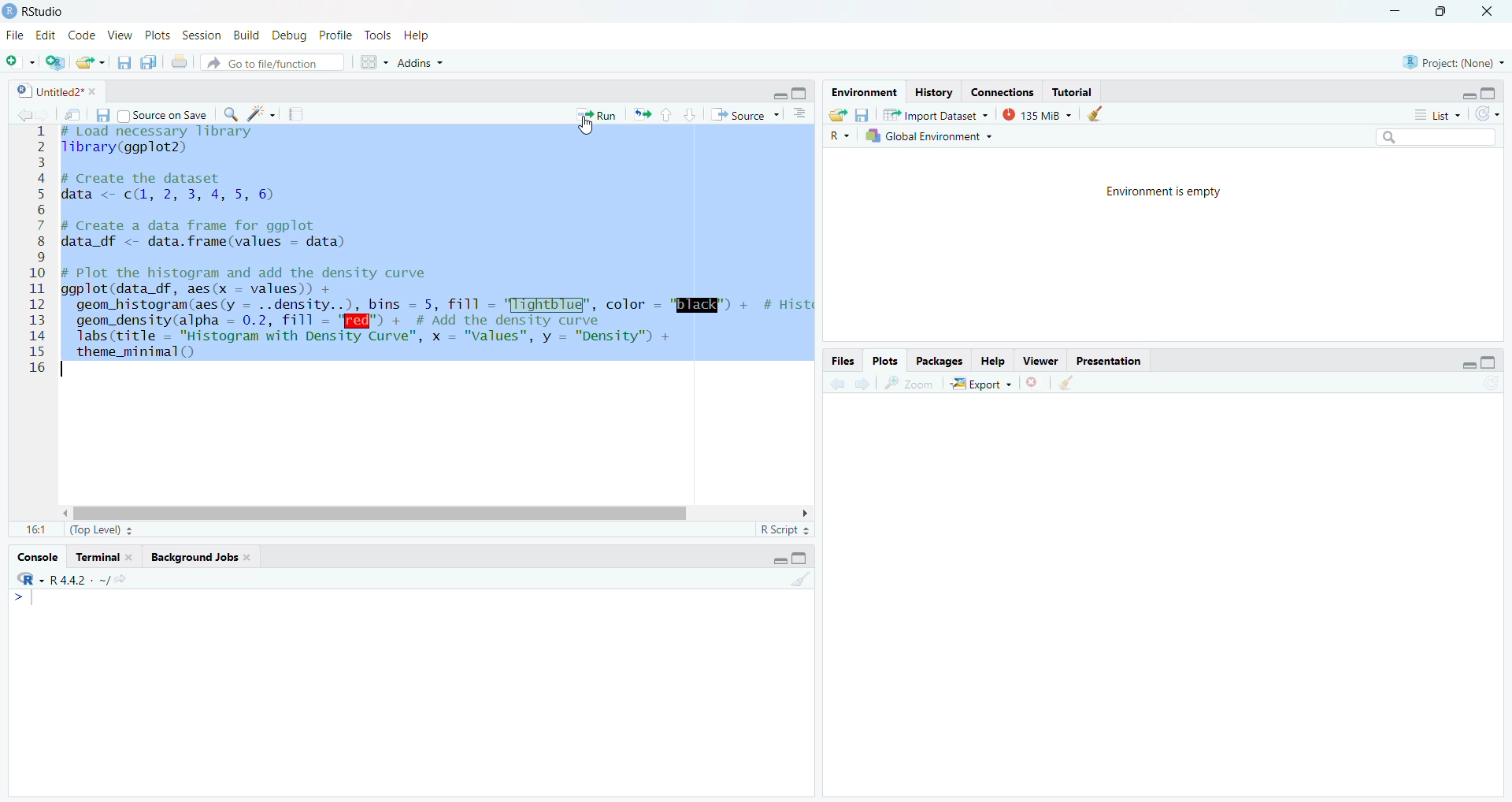 The height and width of the screenshot is (802, 1512). Describe the element at coordinates (54, 63) in the screenshot. I see `create a project` at that location.